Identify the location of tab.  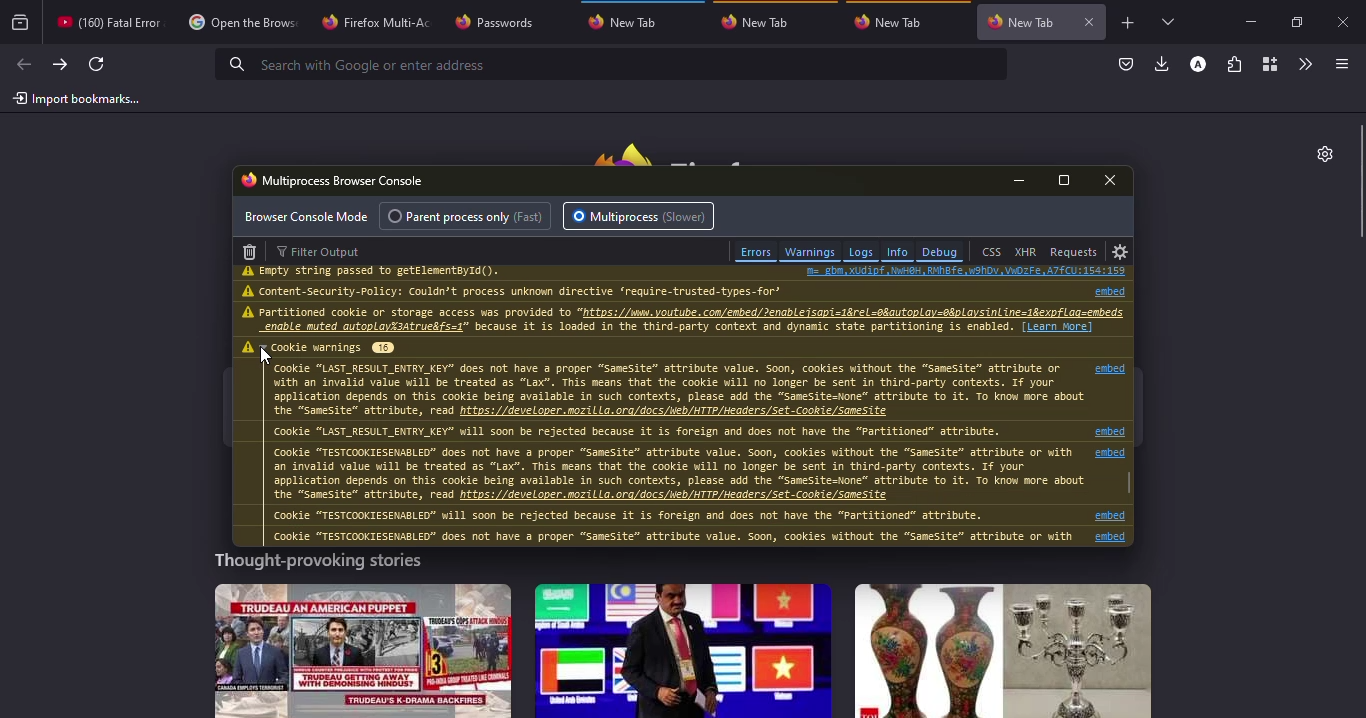
(891, 21).